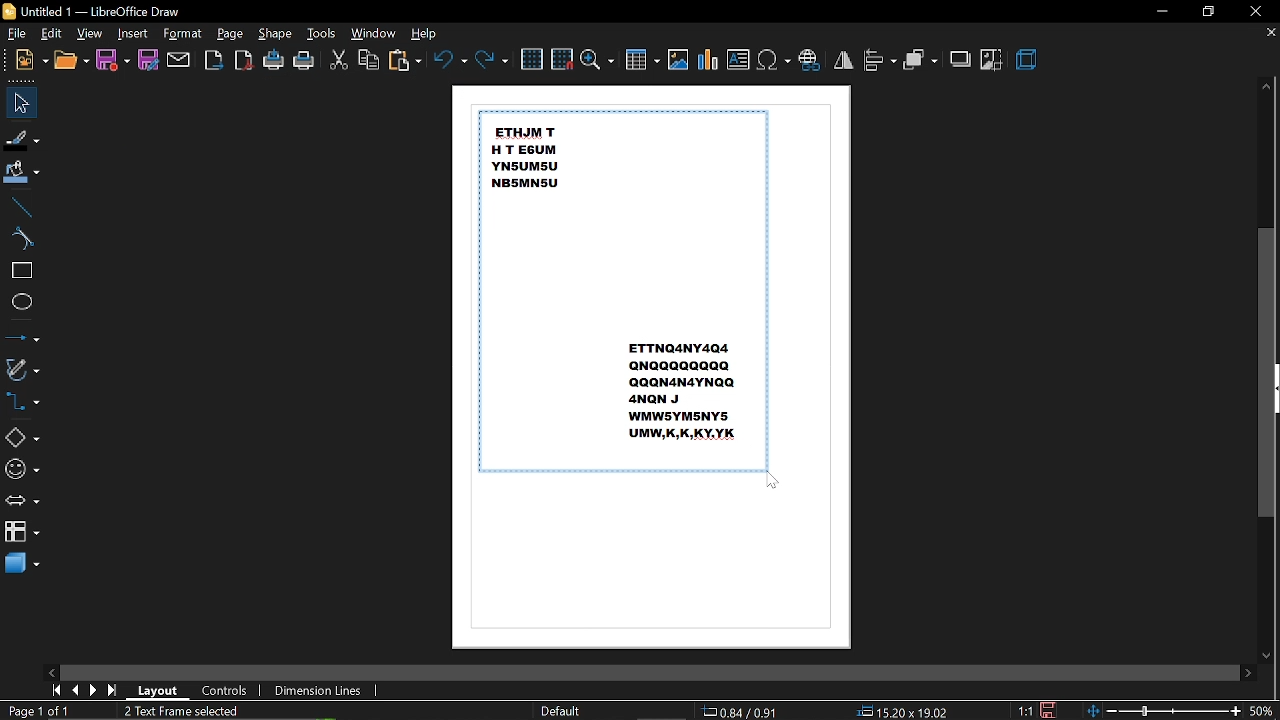  Describe the element at coordinates (1054, 710) in the screenshot. I see `Save` at that location.